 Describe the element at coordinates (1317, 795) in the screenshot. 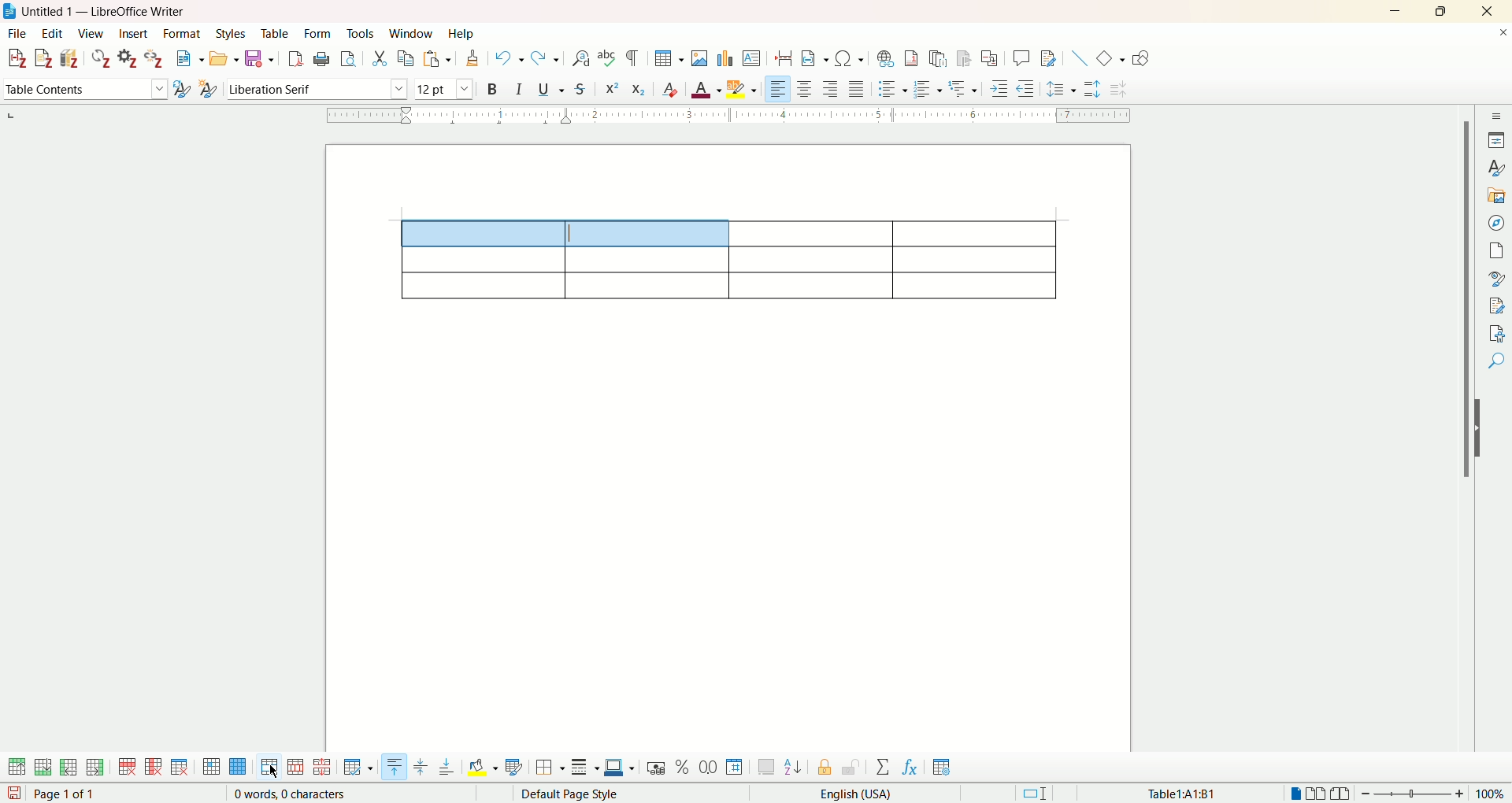

I see `multiple page view` at that location.